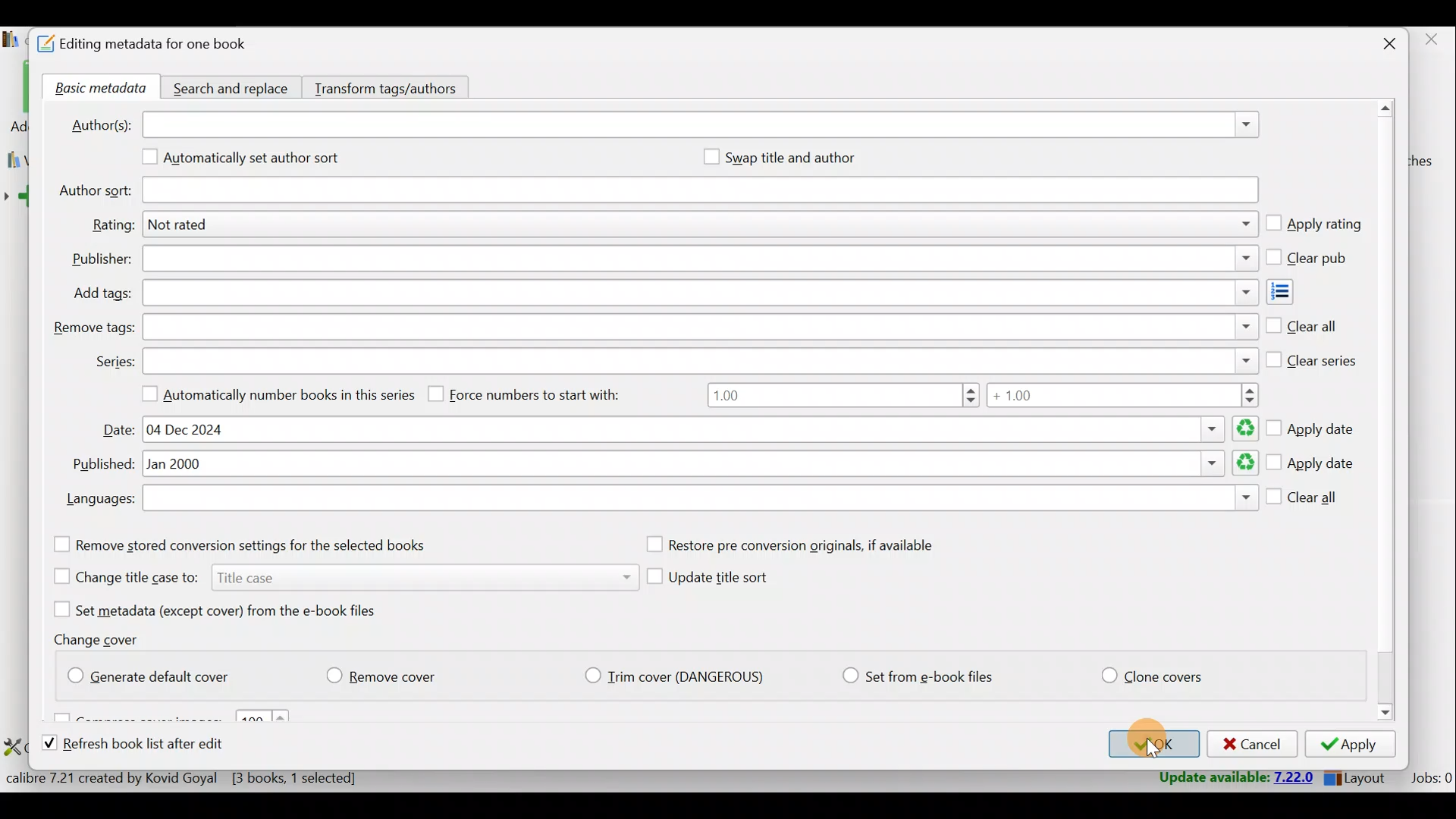  Describe the element at coordinates (982, 397) in the screenshot. I see `Number range` at that location.